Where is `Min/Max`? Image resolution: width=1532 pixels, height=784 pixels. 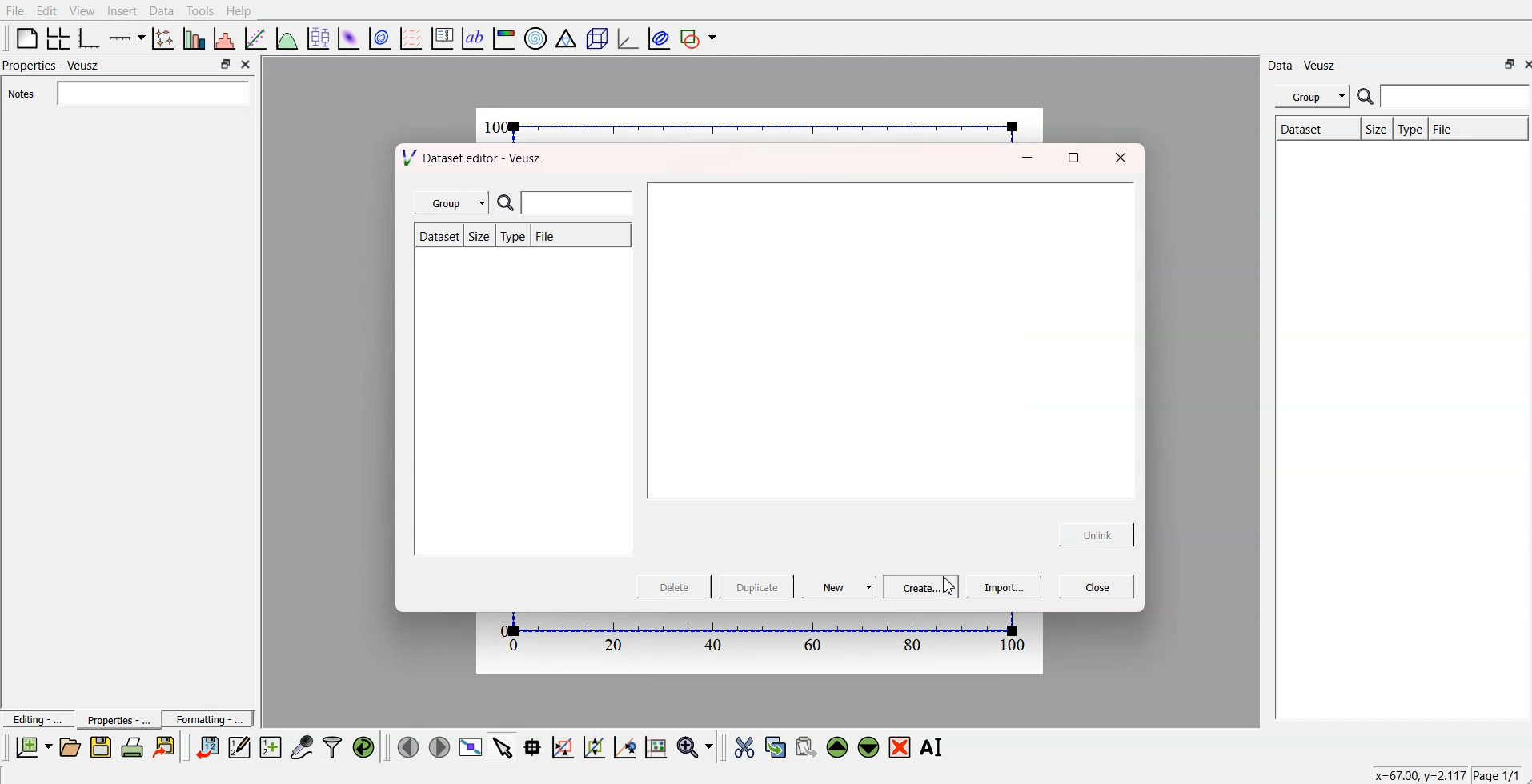 Min/Max is located at coordinates (226, 64).